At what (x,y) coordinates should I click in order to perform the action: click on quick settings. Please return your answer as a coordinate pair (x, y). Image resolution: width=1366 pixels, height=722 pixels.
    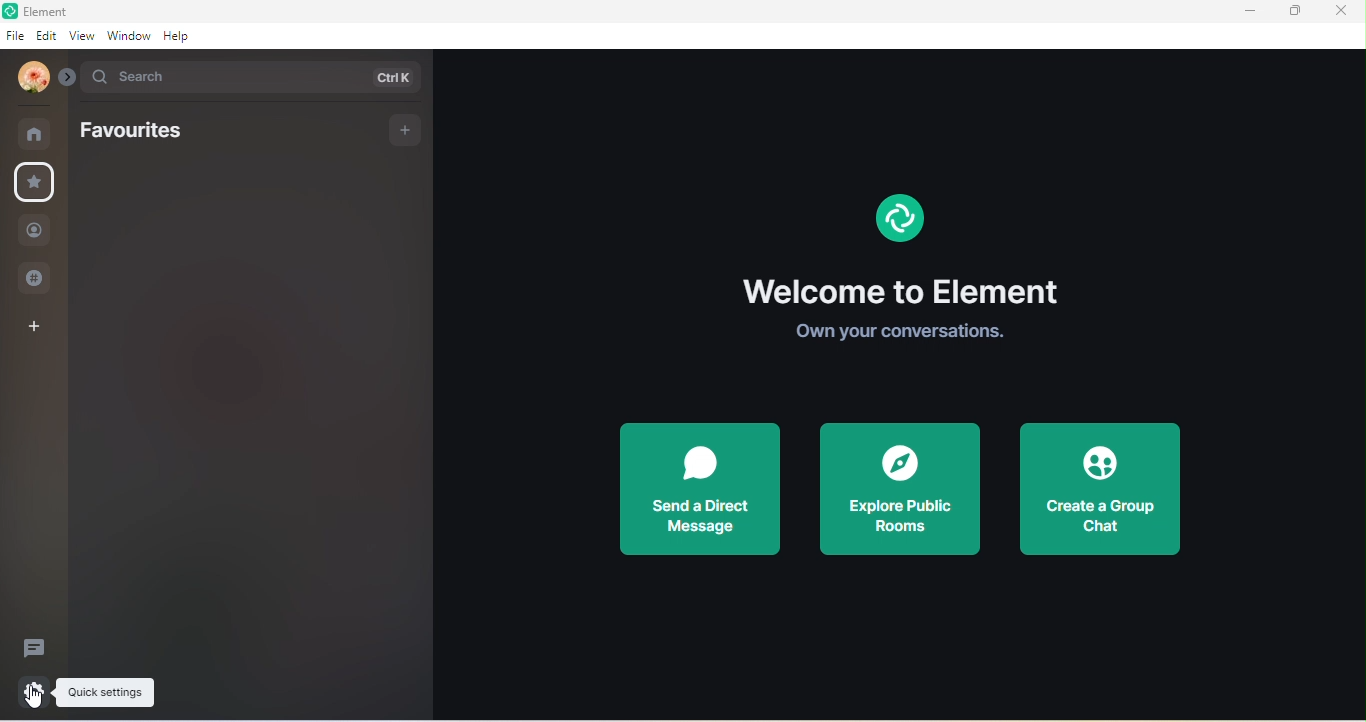
    Looking at the image, I should click on (35, 690).